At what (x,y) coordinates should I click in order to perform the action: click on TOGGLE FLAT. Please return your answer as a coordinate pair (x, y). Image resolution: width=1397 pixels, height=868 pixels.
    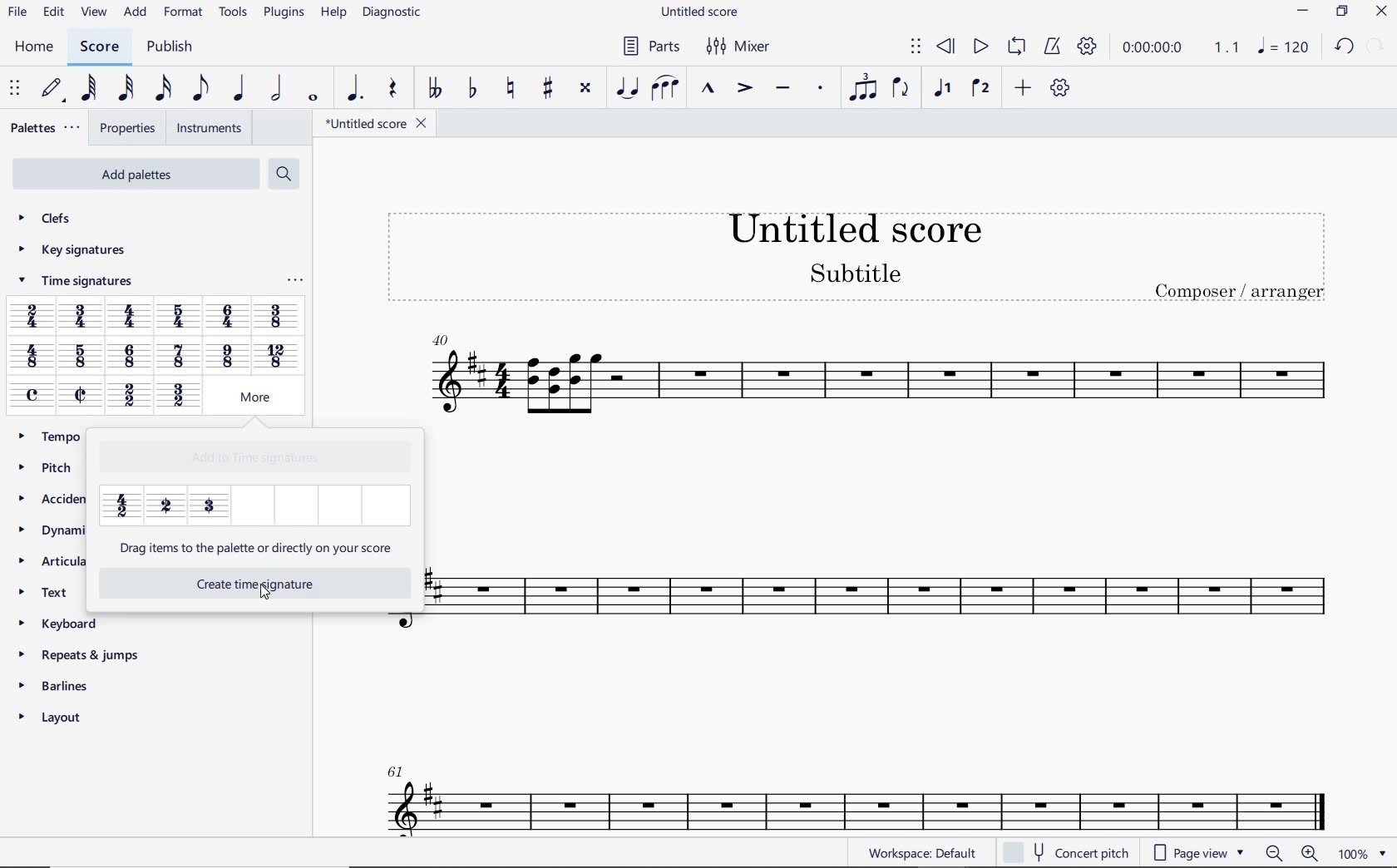
    Looking at the image, I should click on (471, 89).